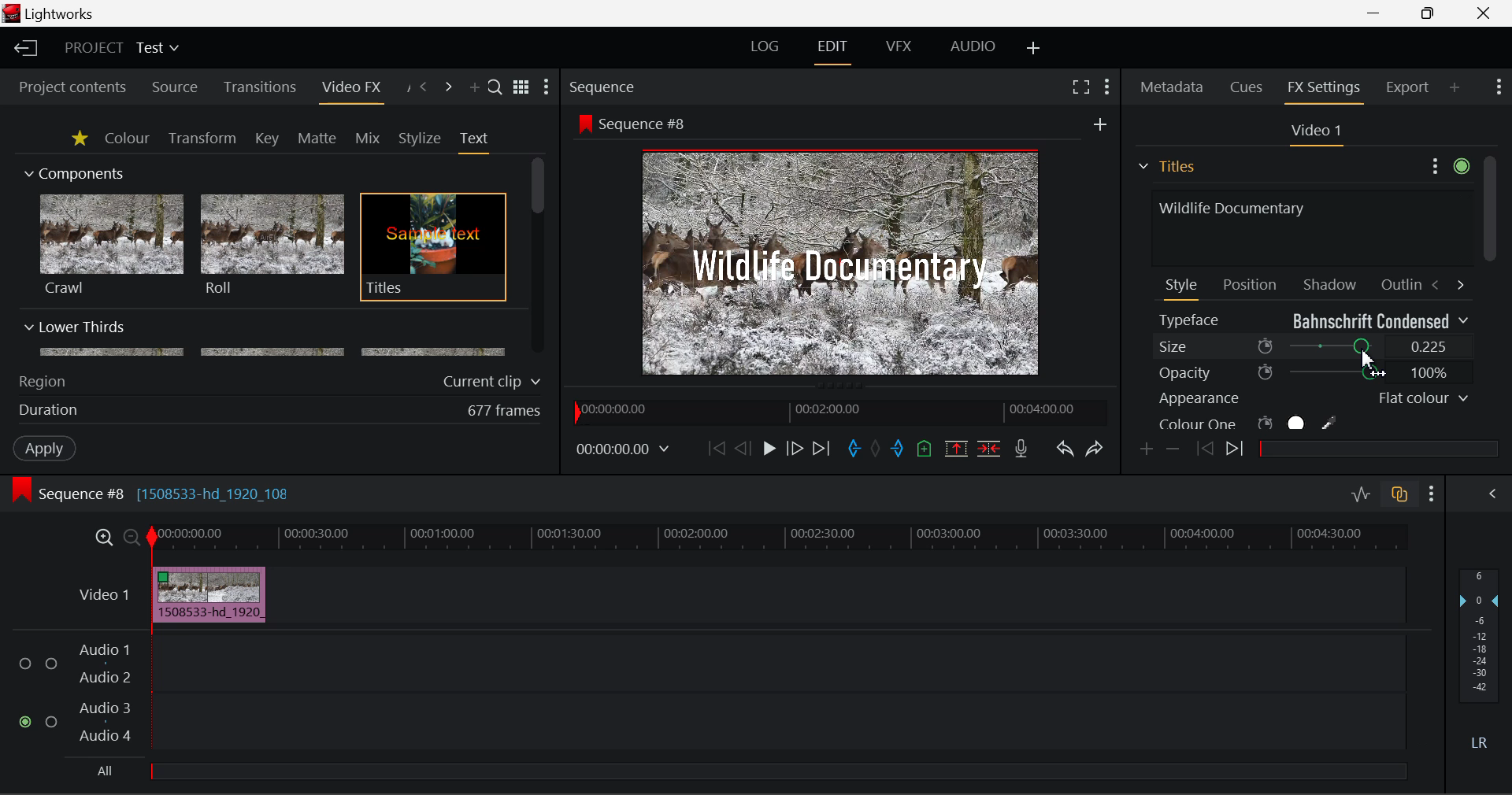 The width and height of the screenshot is (1512, 795). What do you see at coordinates (898, 46) in the screenshot?
I see `VFX Layout` at bounding box center [898, 46].